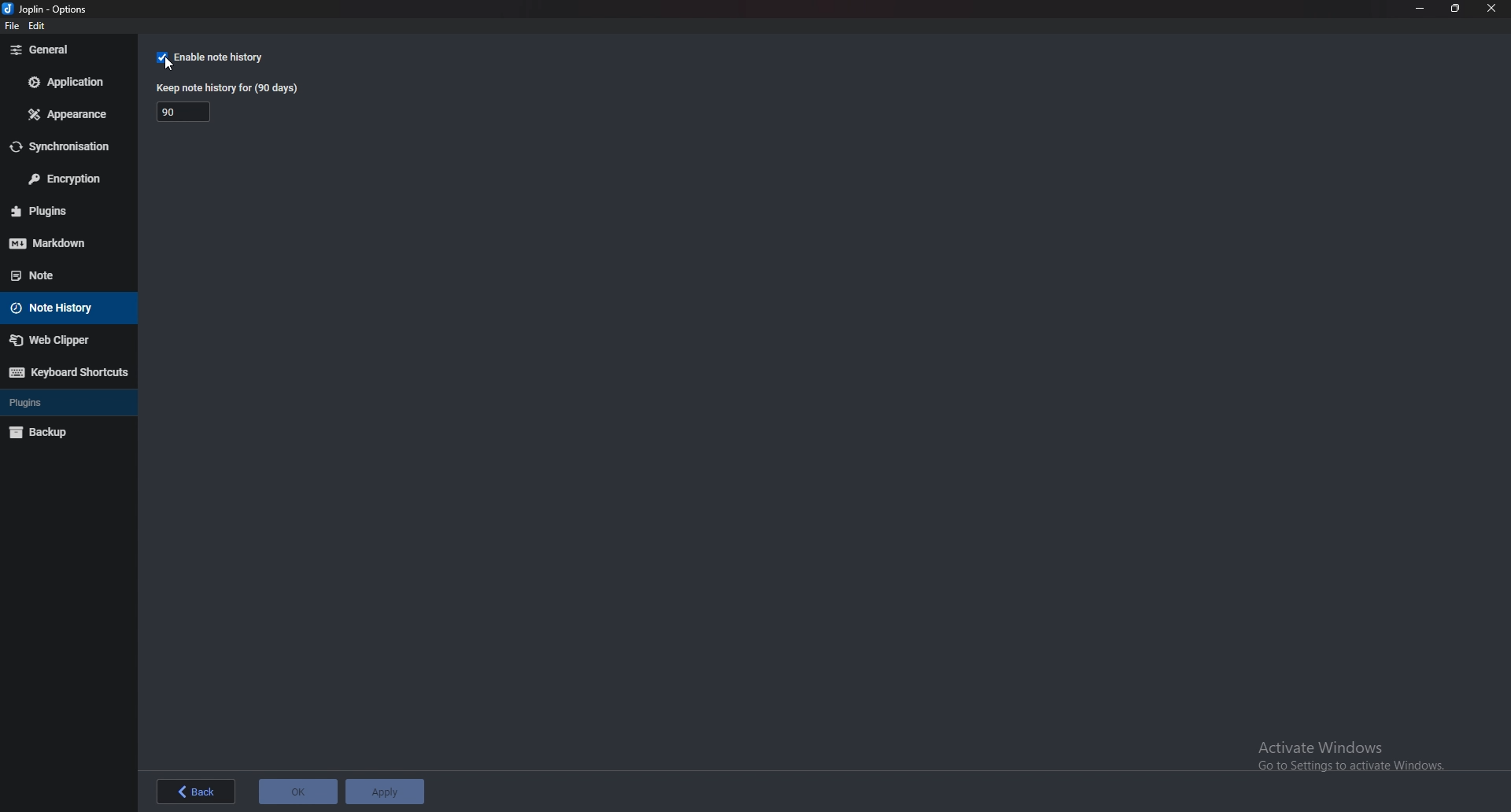 The width and height of the screenshot is (1511, 812). What do you see at coordinates (50, 9) in the screenshot?
I see `options` at bounding box center [50, 9].